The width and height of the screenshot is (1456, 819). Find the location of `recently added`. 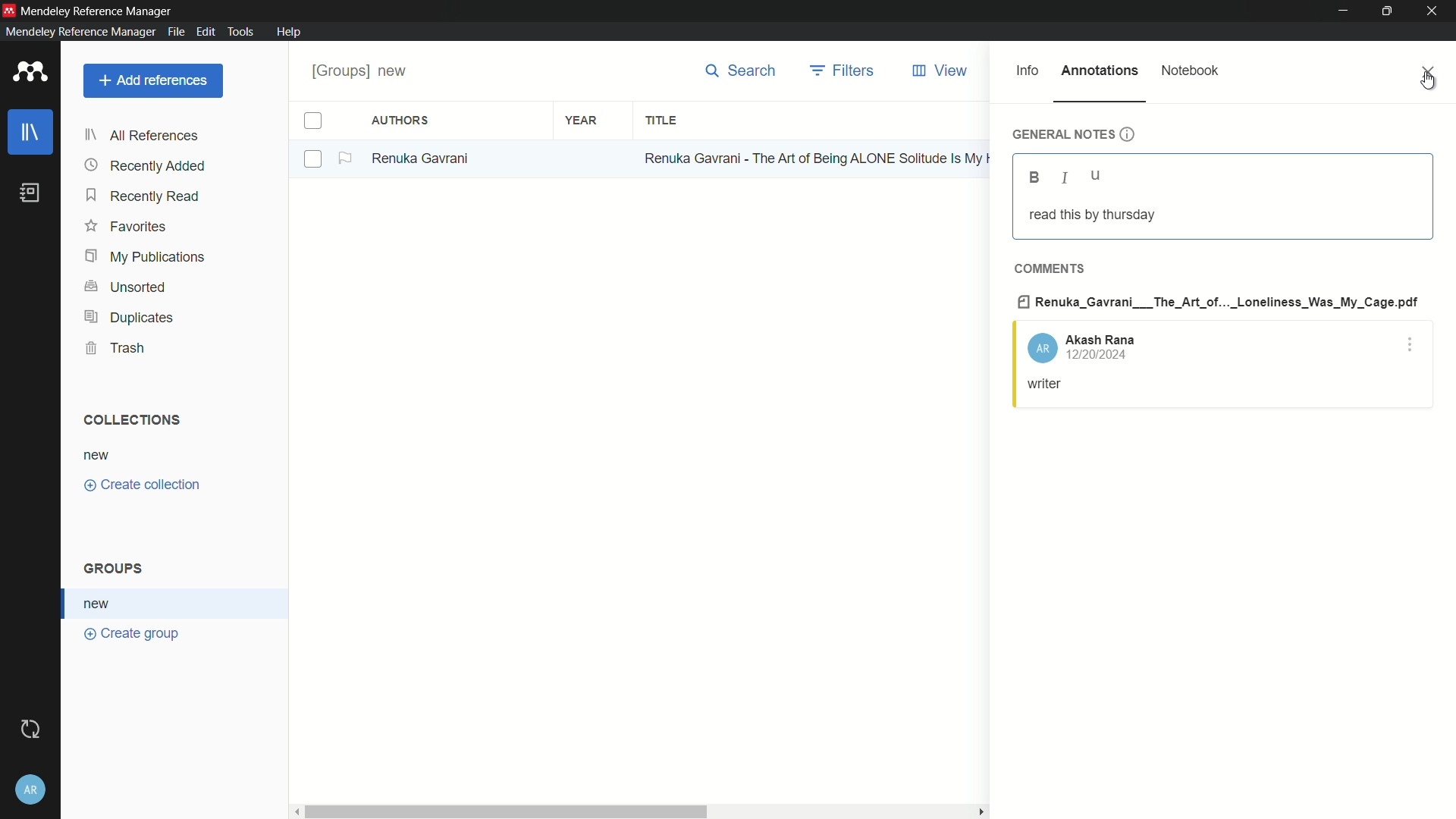

recently added is located at coordinates (146, 166).